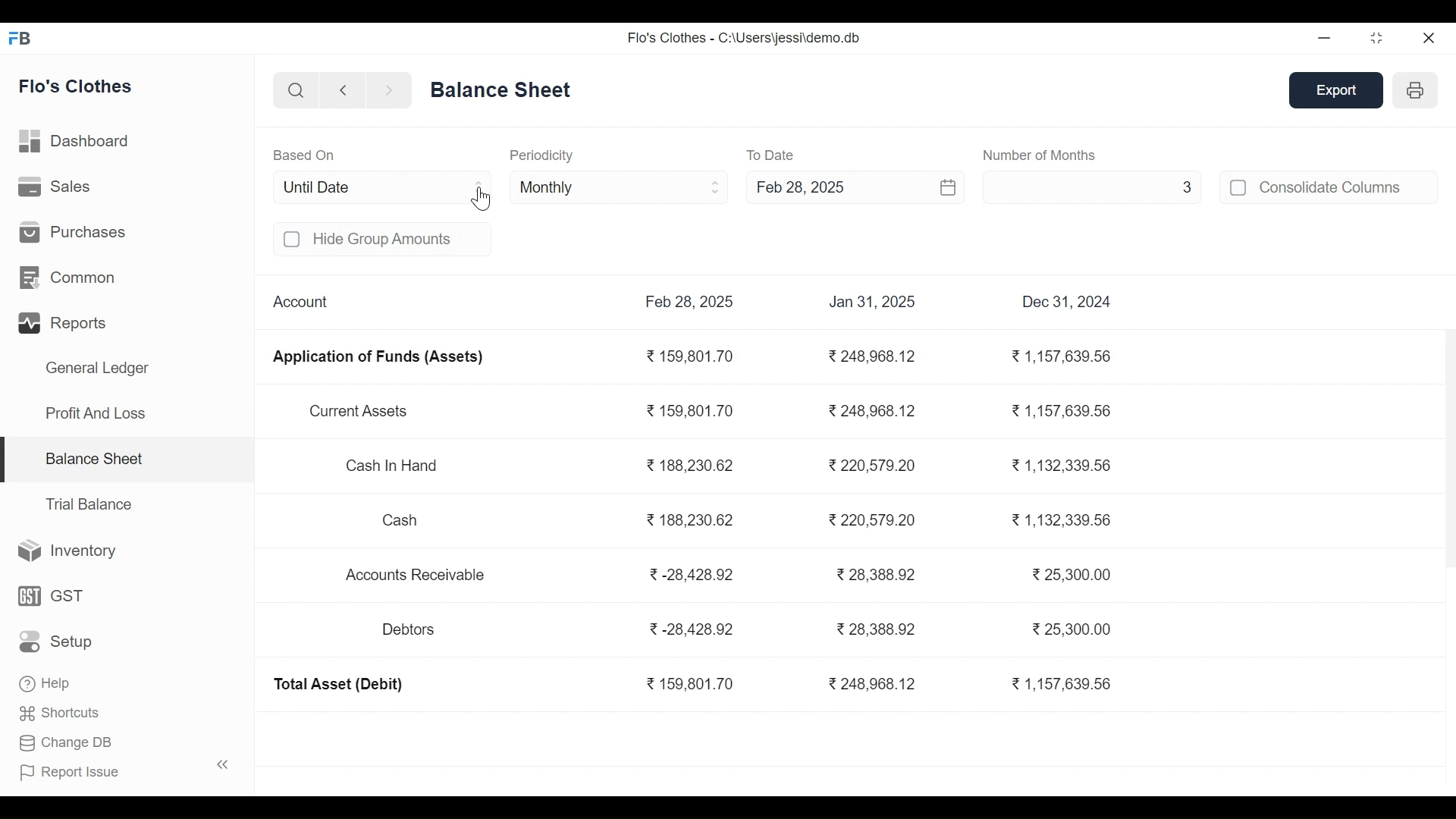  What do you see at coordinates (65, 324) in the screenshot?
I see `reports` at bounding box center [65, 324].